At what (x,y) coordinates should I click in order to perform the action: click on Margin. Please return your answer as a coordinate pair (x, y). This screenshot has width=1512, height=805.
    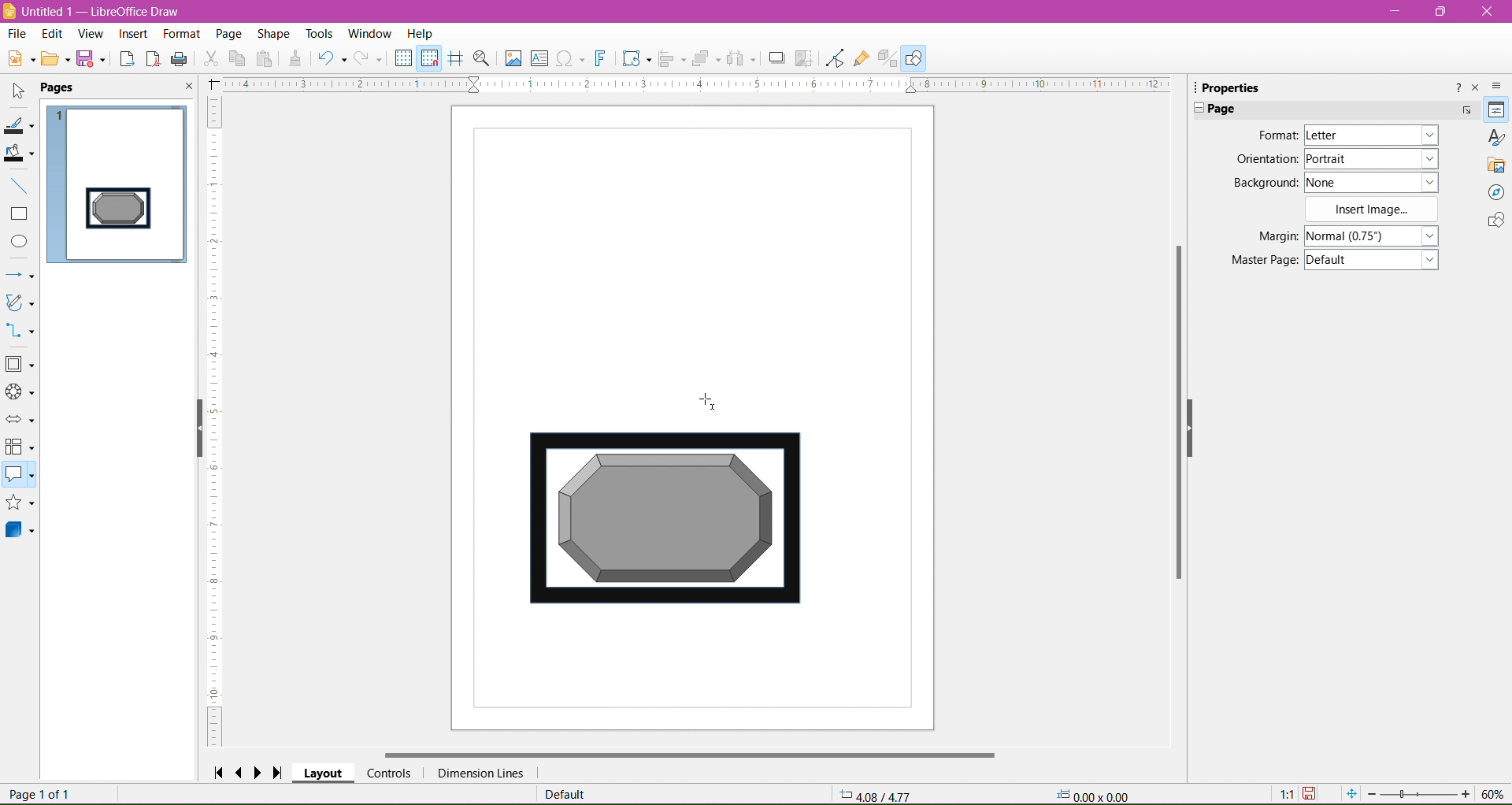
    Looking at the image, I should click on (1262, 236).